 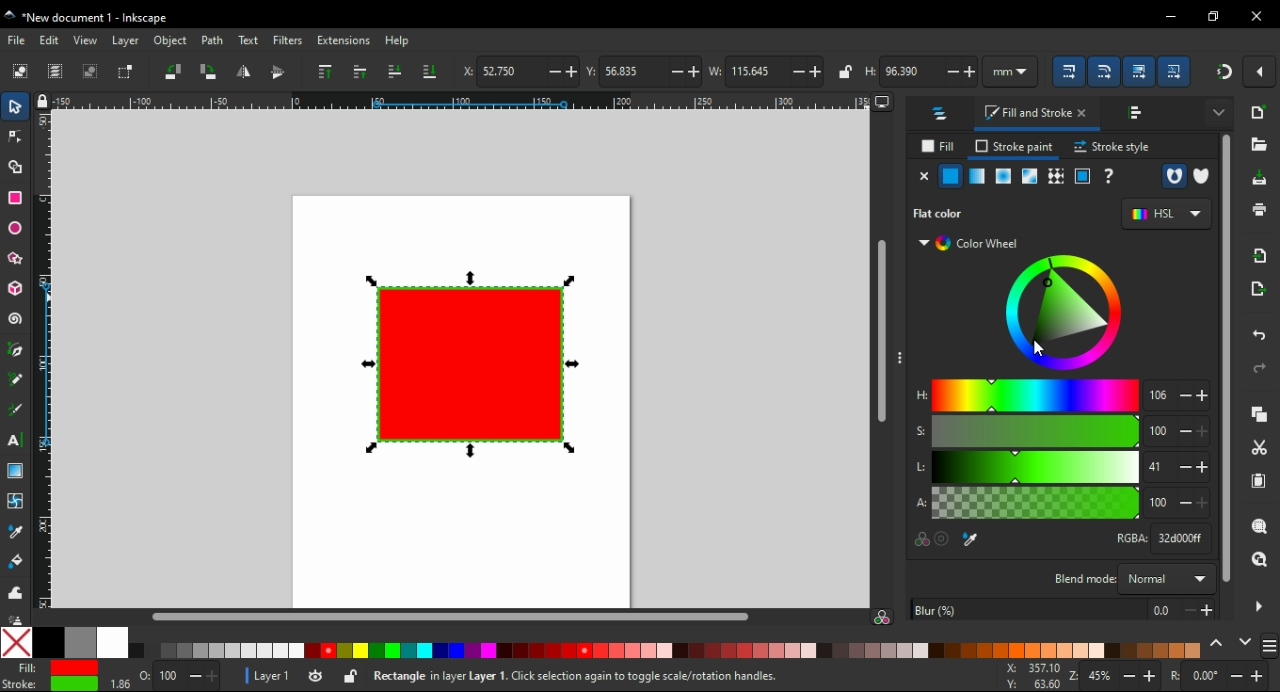 I want to click on 100, so click(x=170, y=676).